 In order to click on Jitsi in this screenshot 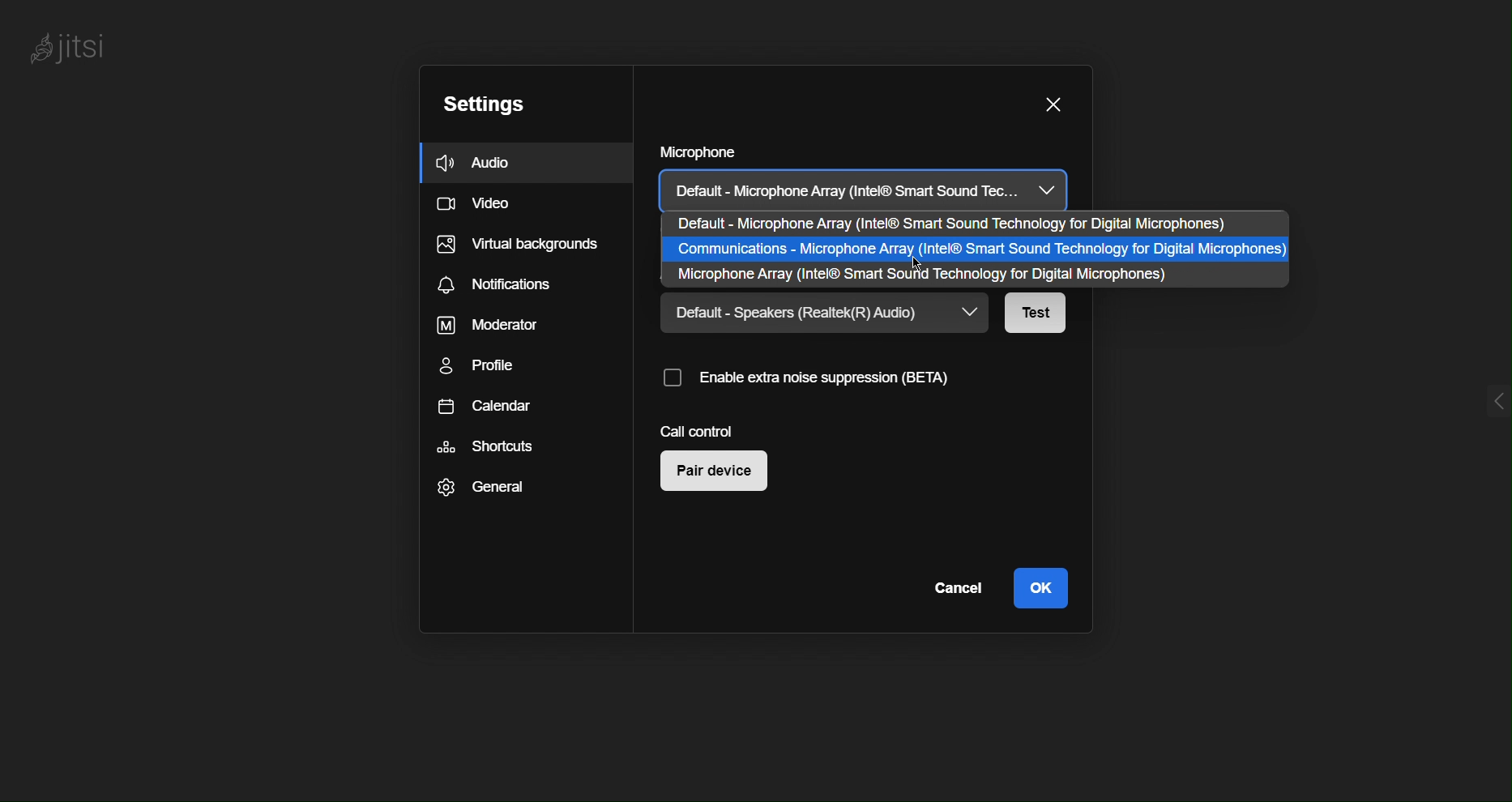, I will do `click(77, 47)`.